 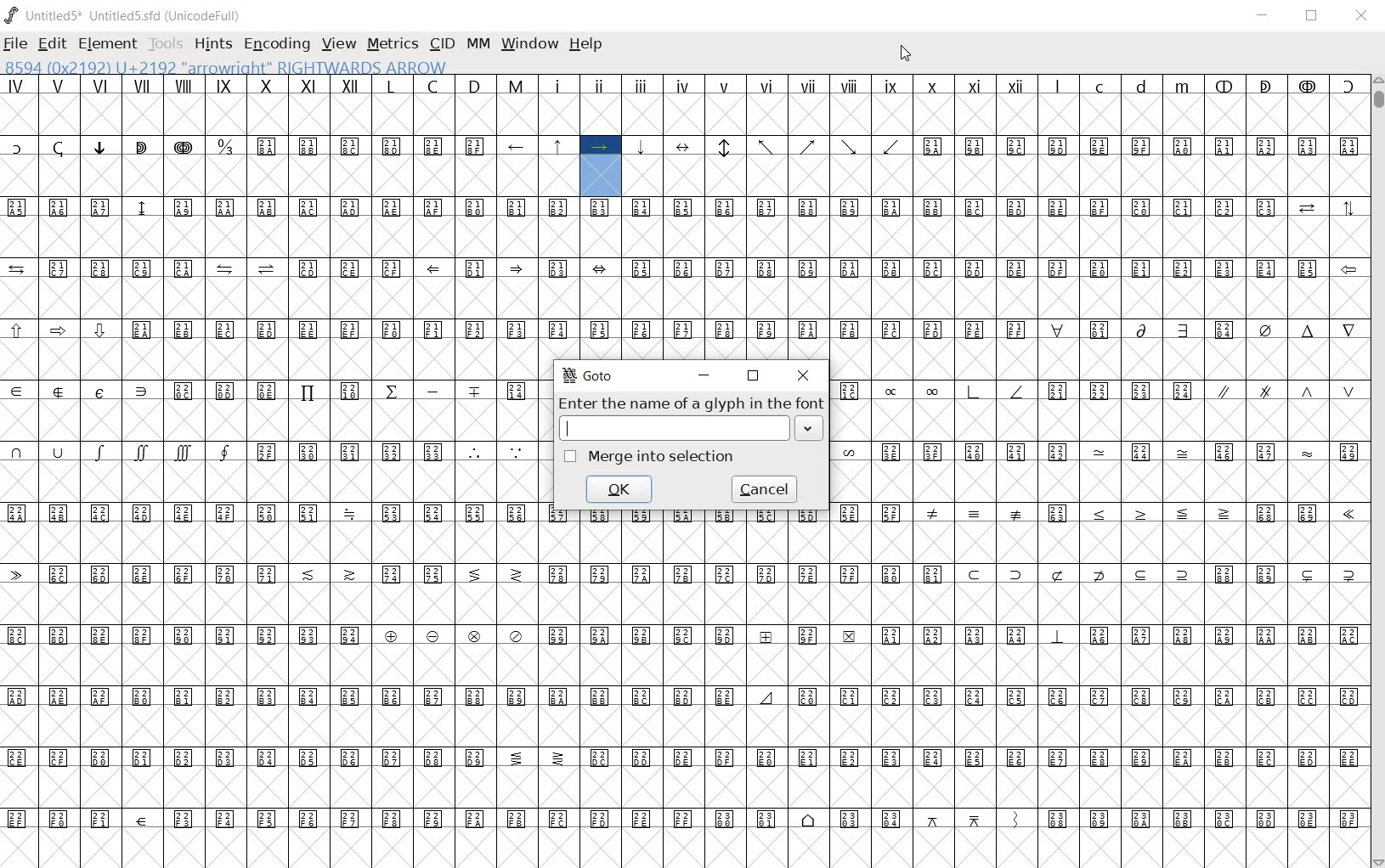 What do you see at coordinates (956, 197) in the screenshot?
I see `Glyph characters` at bounding box center [956, 197].